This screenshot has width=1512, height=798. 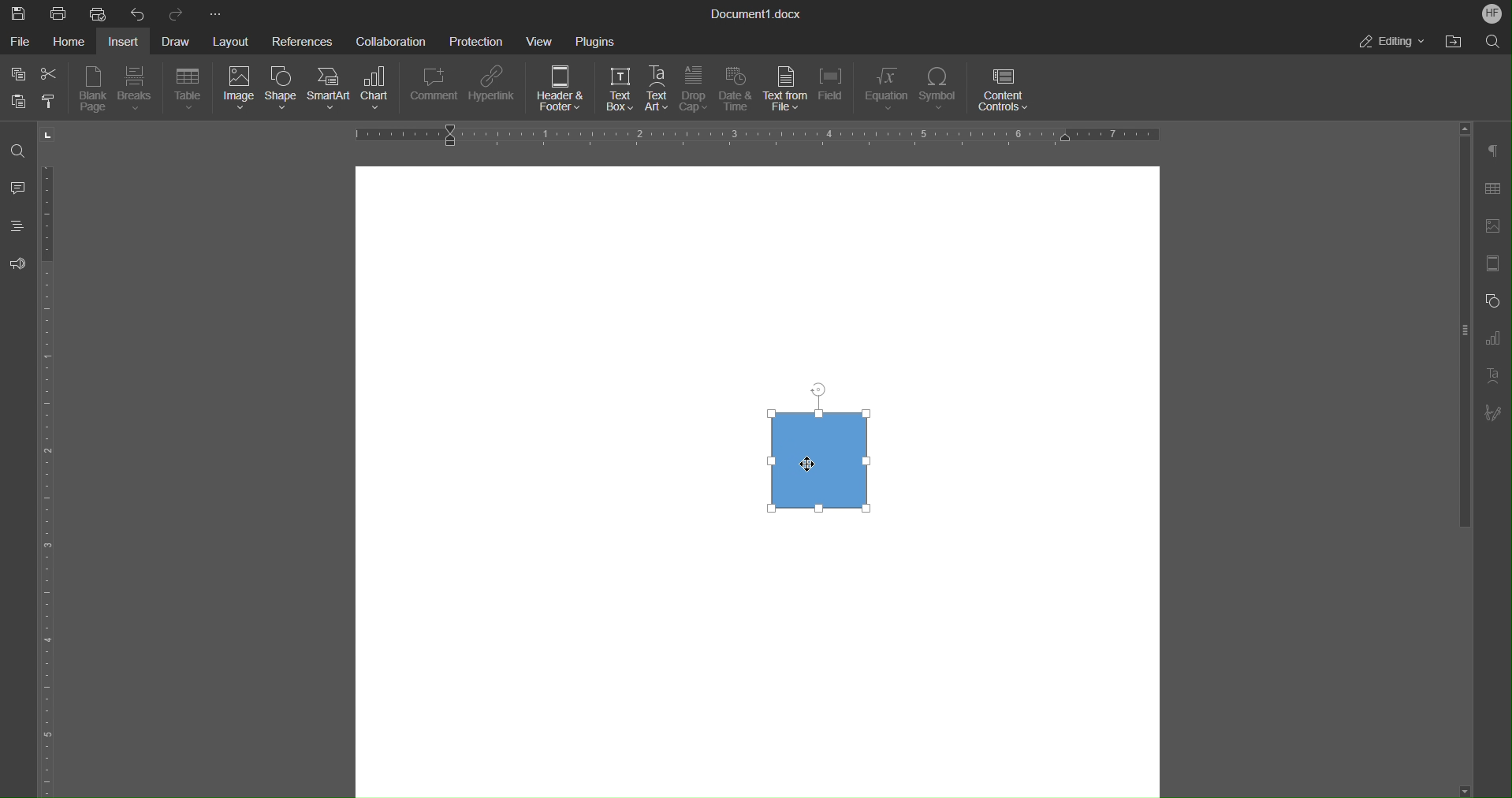 I want to click on Horizontal Ruler, so click(x=54, y=480).